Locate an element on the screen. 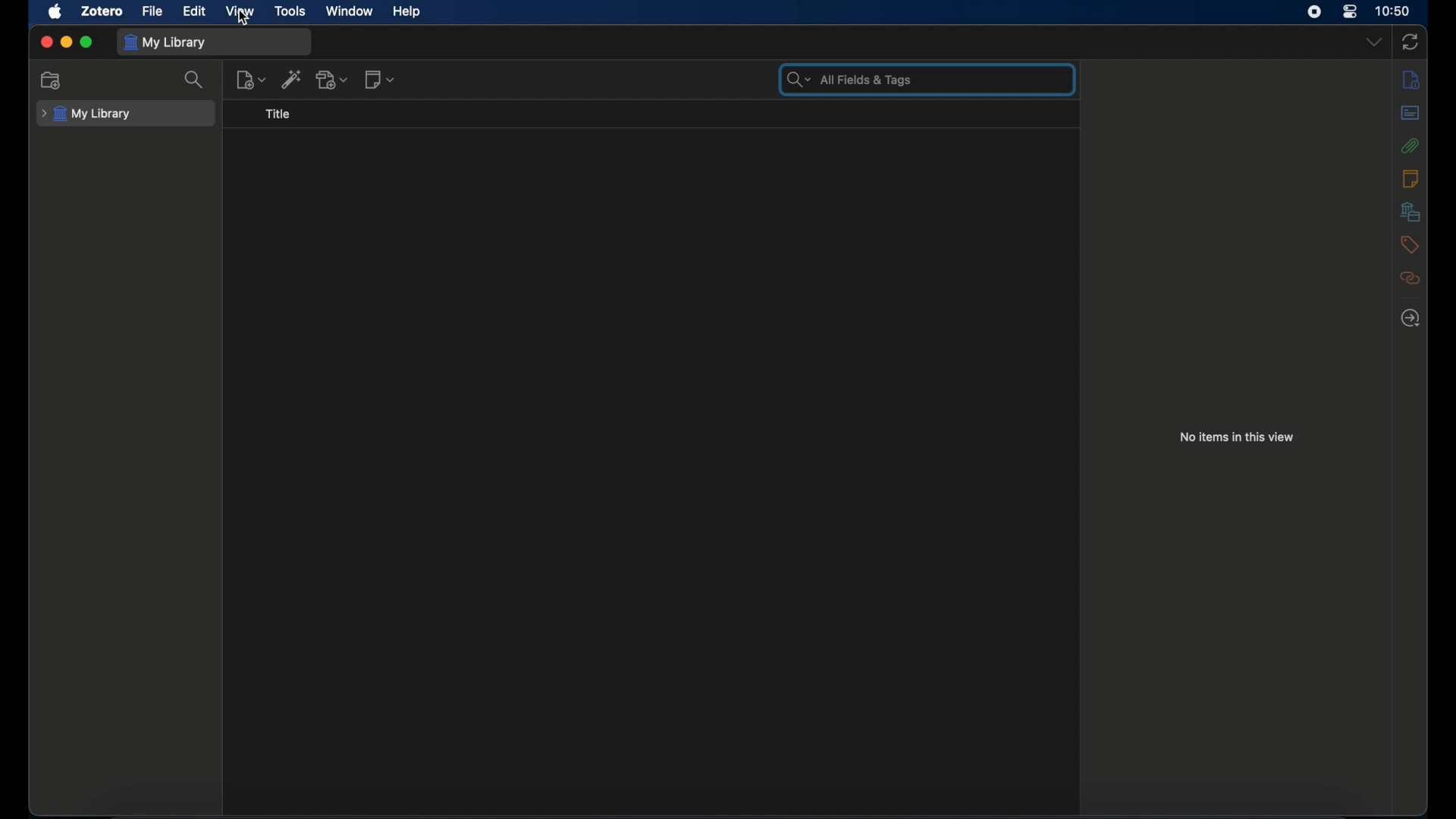 The height and width of the screenshot is (819, 1456). cursor is located at coordinates (246, 20).